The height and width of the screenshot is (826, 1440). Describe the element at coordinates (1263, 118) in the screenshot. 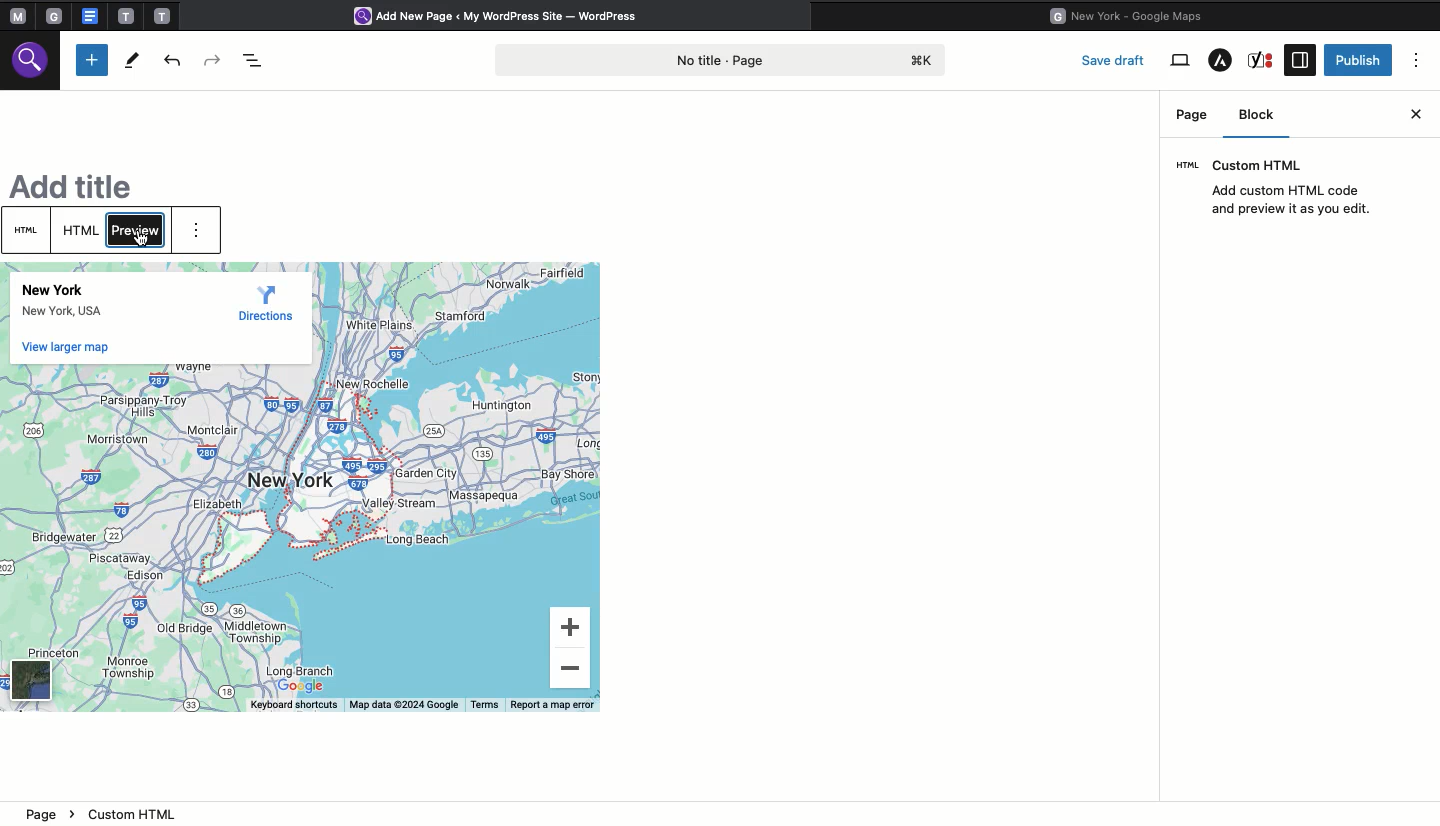

I see `Block` at that location.